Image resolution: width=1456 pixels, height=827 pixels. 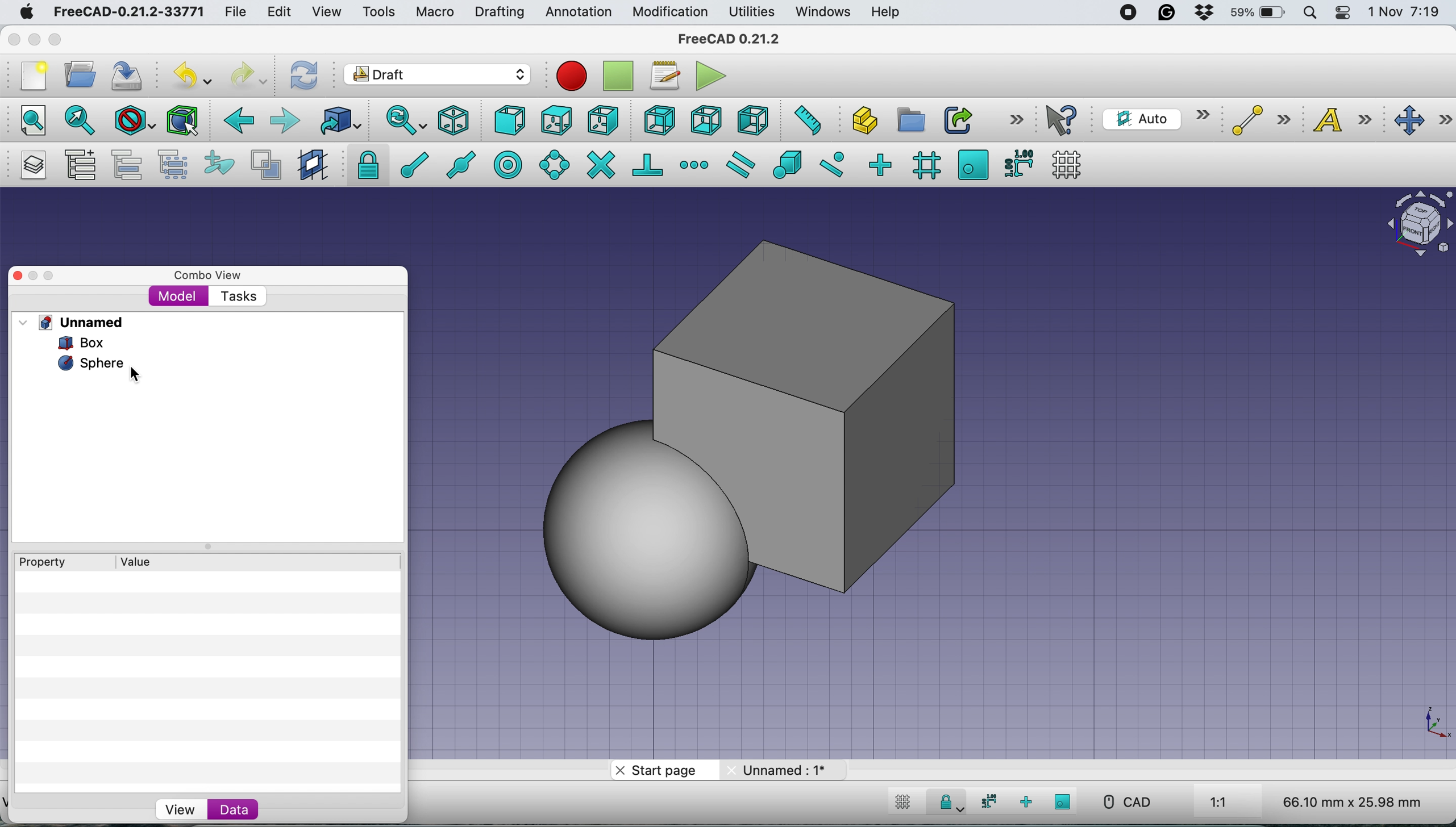 What do you see at coordinates (1405, 12) in the screenshot?
I see `date and time` at bounding box center [1405, 12].